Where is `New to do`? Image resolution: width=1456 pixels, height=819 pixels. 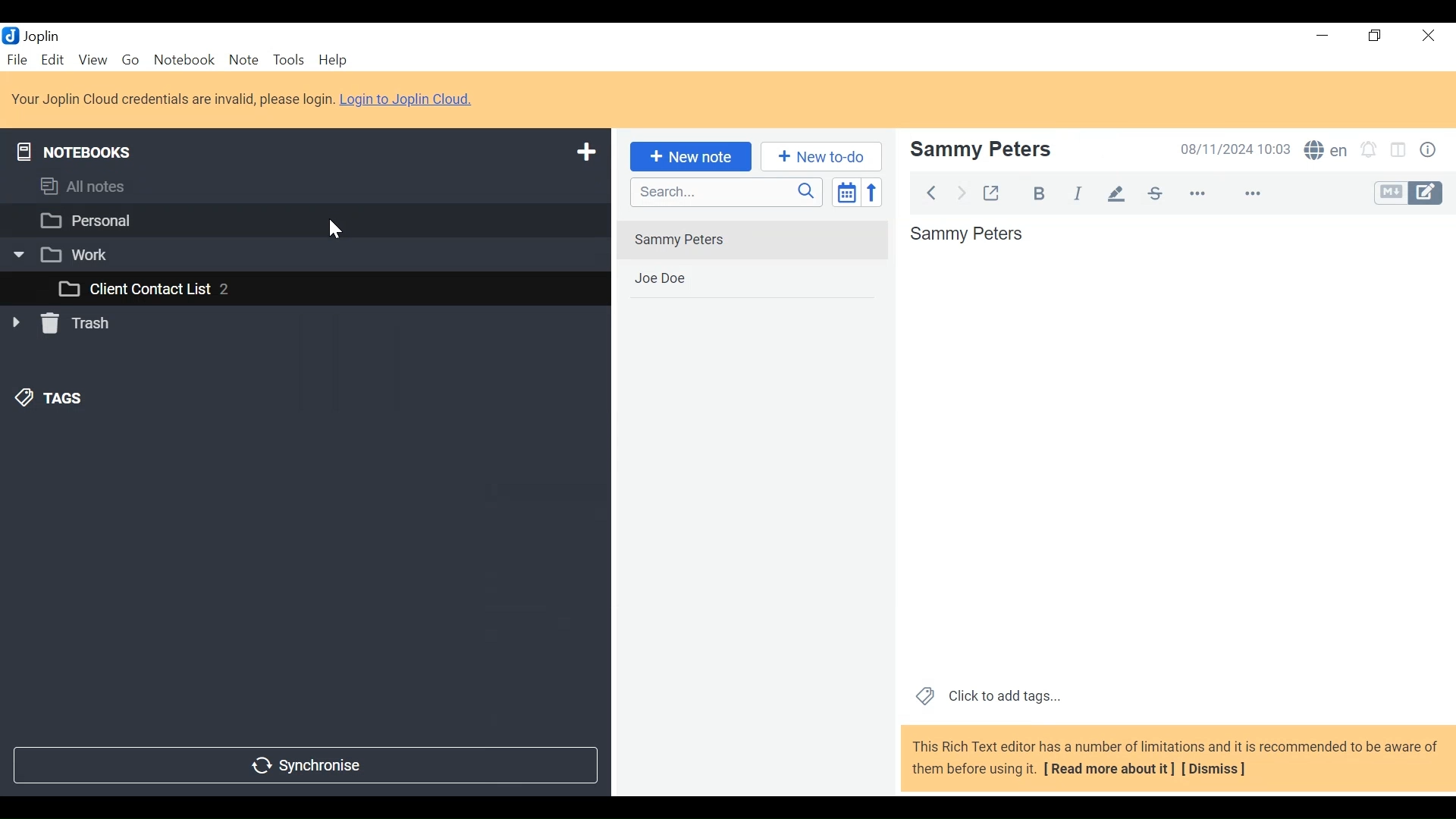 New to do is located at coordinates (818, 157).